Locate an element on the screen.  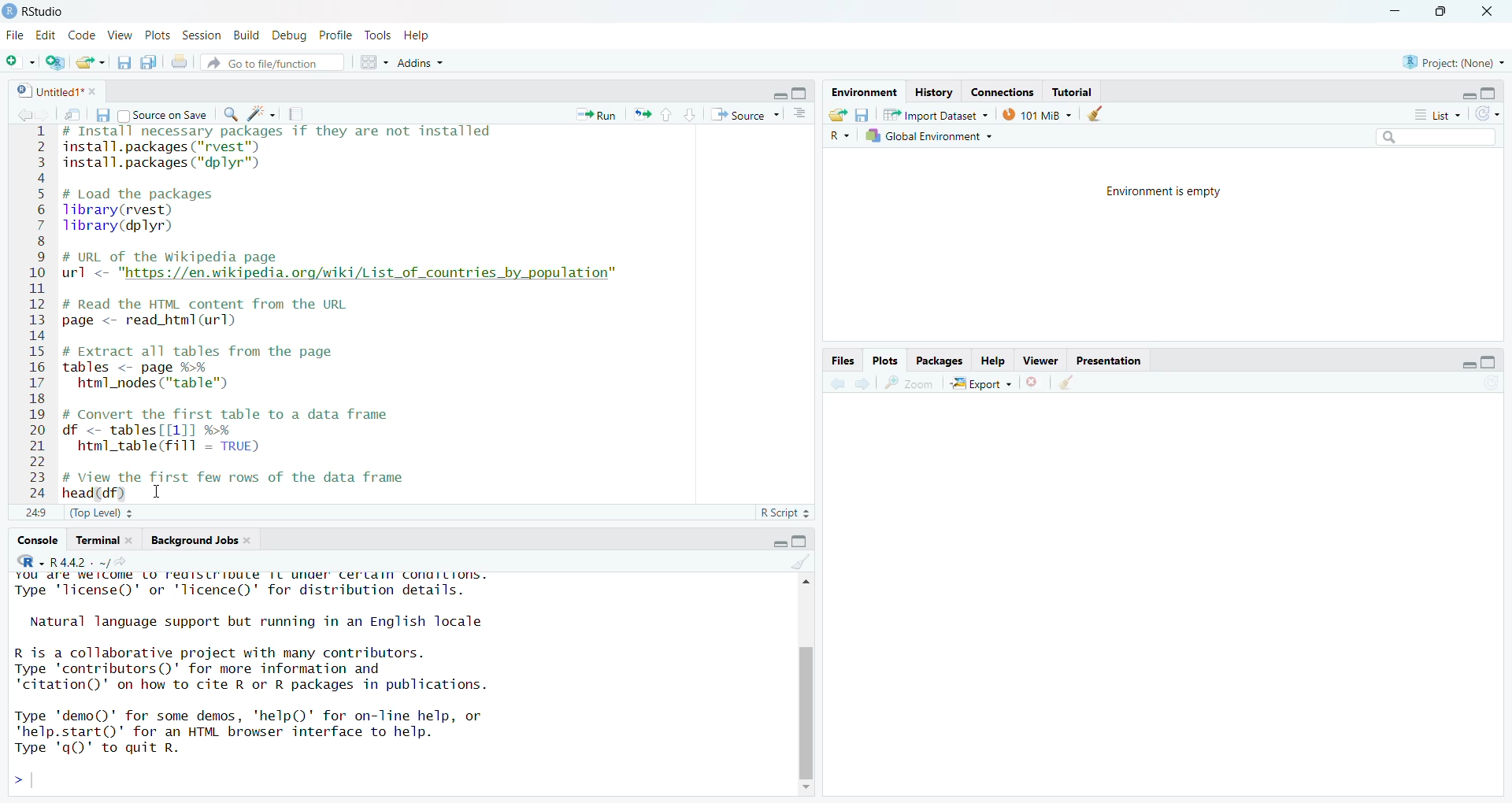
History is located at coordinates (934, 94).